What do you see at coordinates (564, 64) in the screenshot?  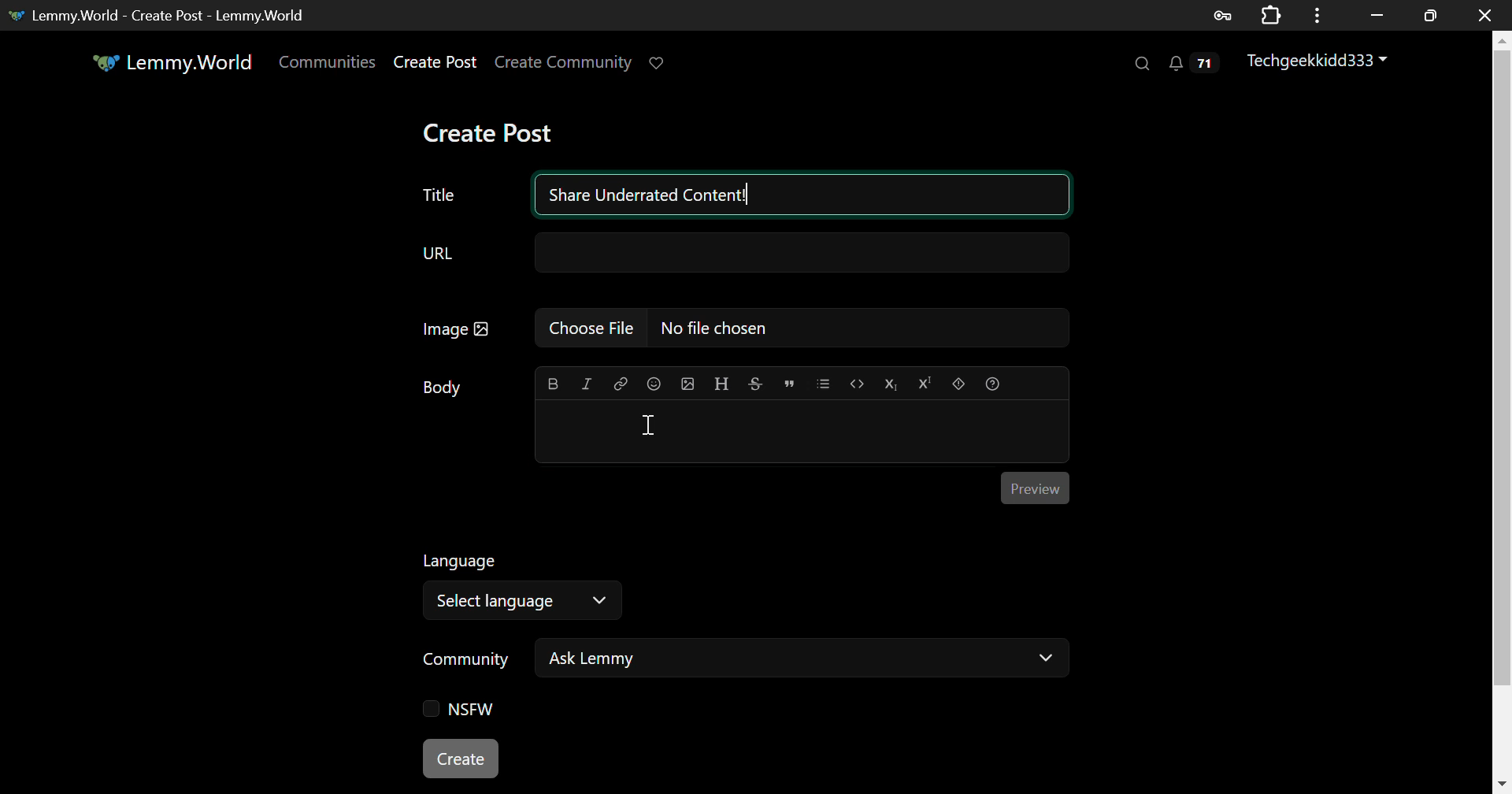 I see `Create Community` at bounding box center [564, 64].